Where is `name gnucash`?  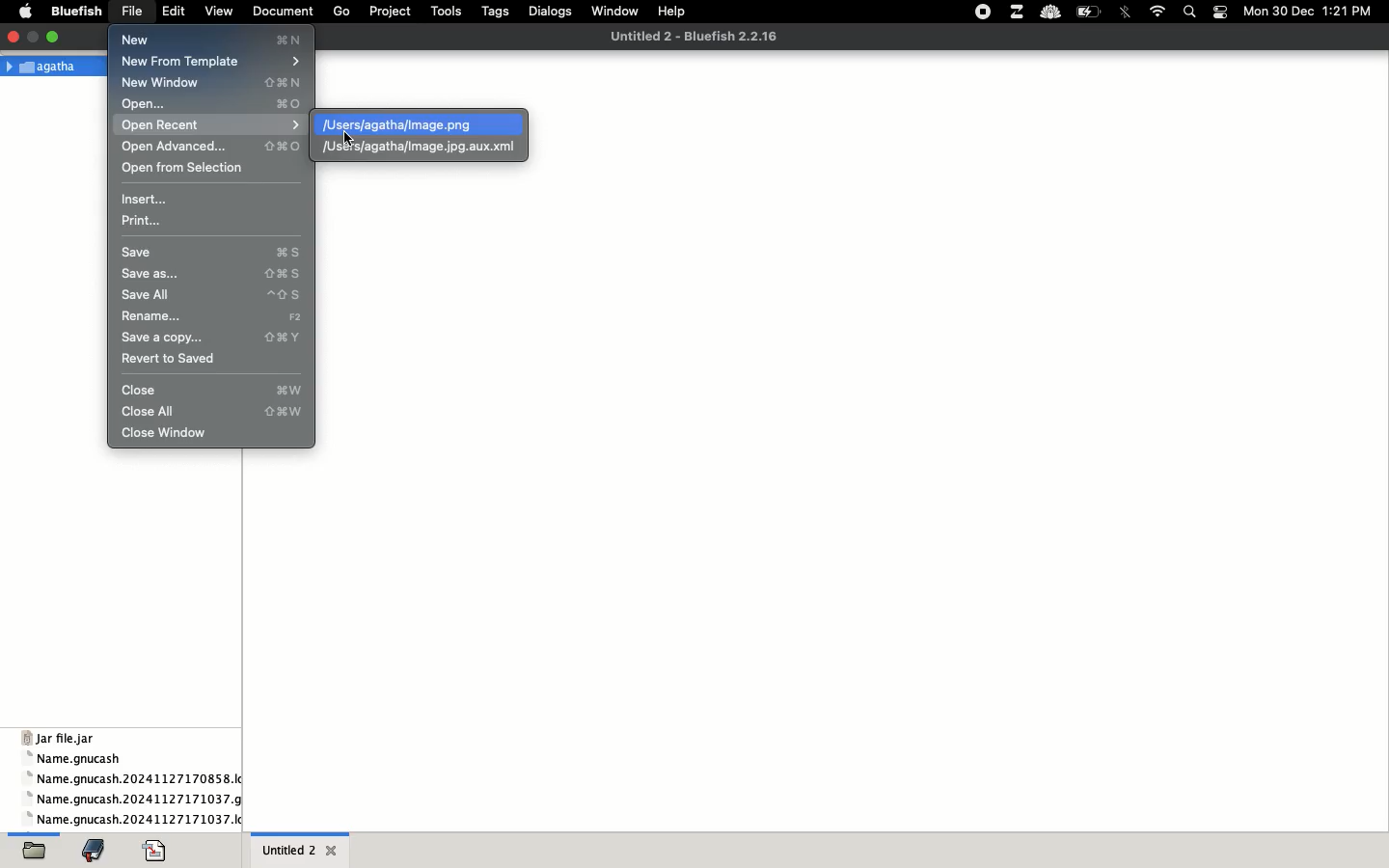 name gnucash is located at coordinates (134, 779).